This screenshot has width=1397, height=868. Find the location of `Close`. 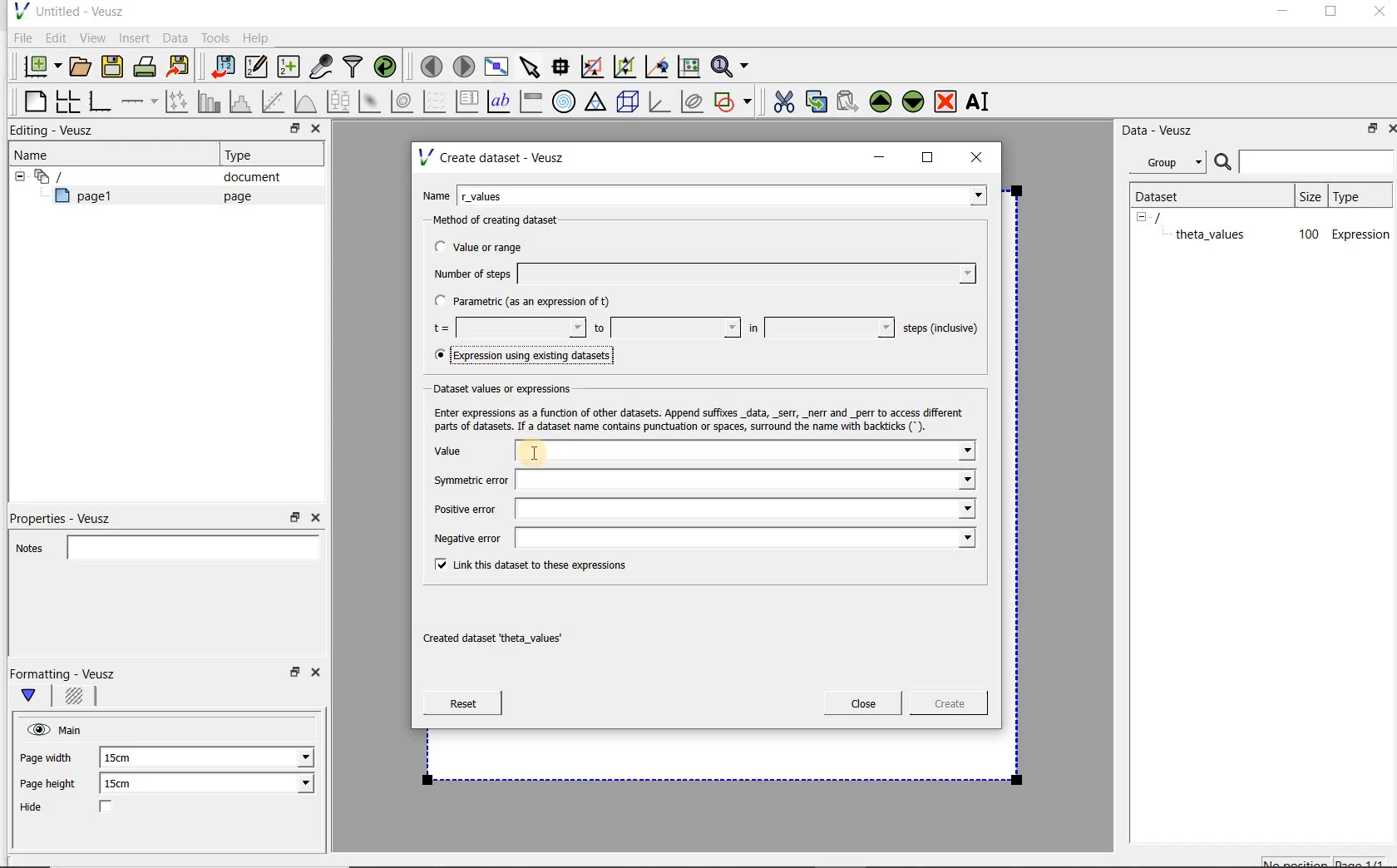

Close is located at coordinates (1389, 127).